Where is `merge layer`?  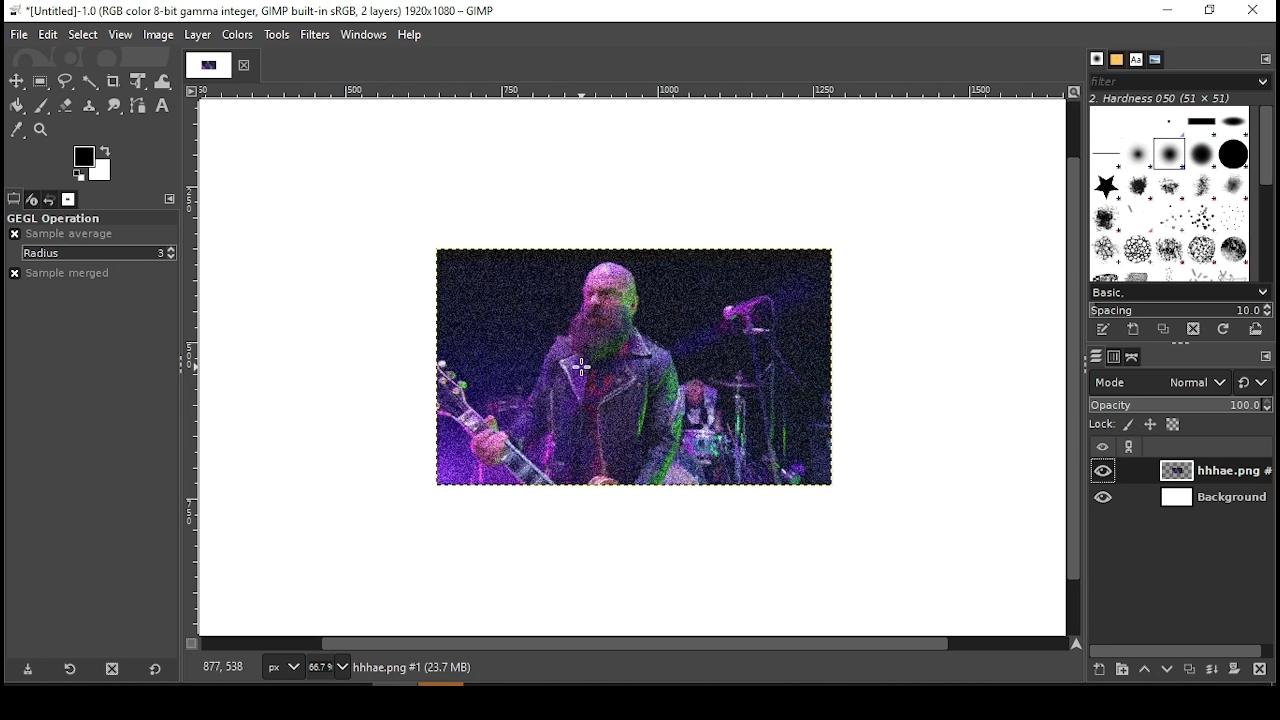 merge layer is located at coordinates (1212, 670).